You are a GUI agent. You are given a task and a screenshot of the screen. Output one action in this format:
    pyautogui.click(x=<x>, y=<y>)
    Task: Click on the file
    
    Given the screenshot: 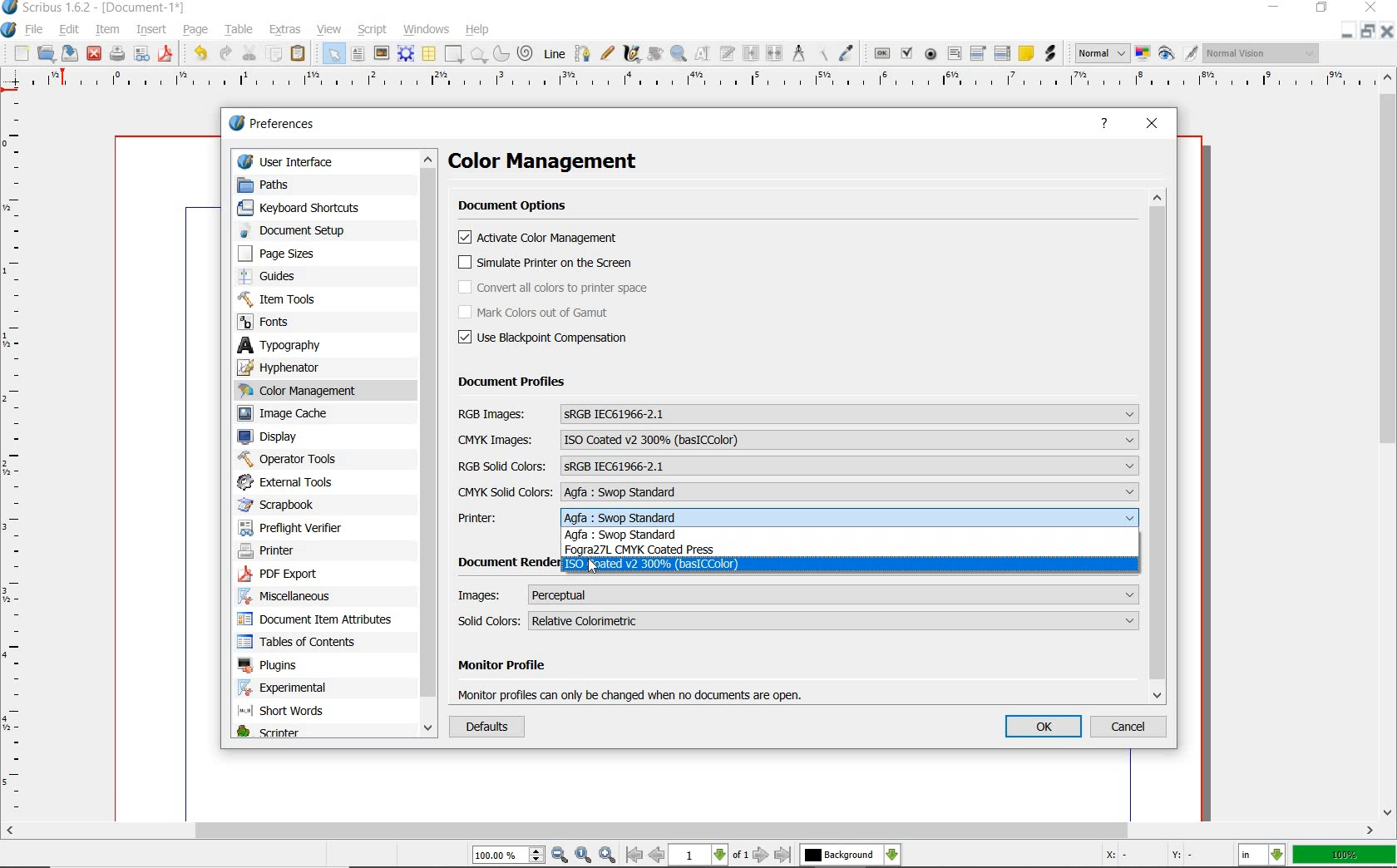 What is the action you would take?
    pyautogui.click(x=37, y=28)
    